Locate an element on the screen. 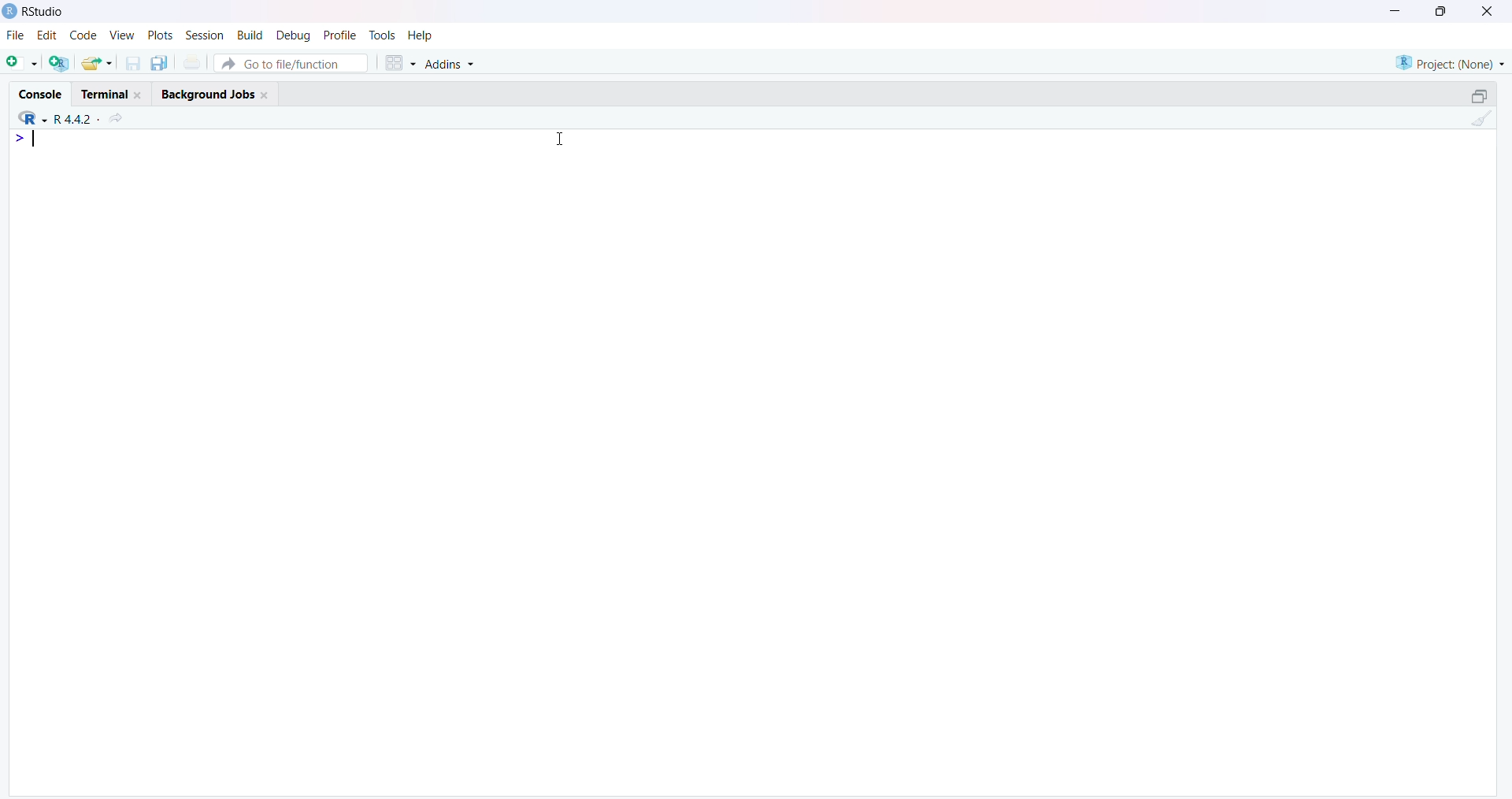 The width and height of the screenshot is (1512, 799). Save current document (Ctrl + S) is located at coordinates (136, 60).